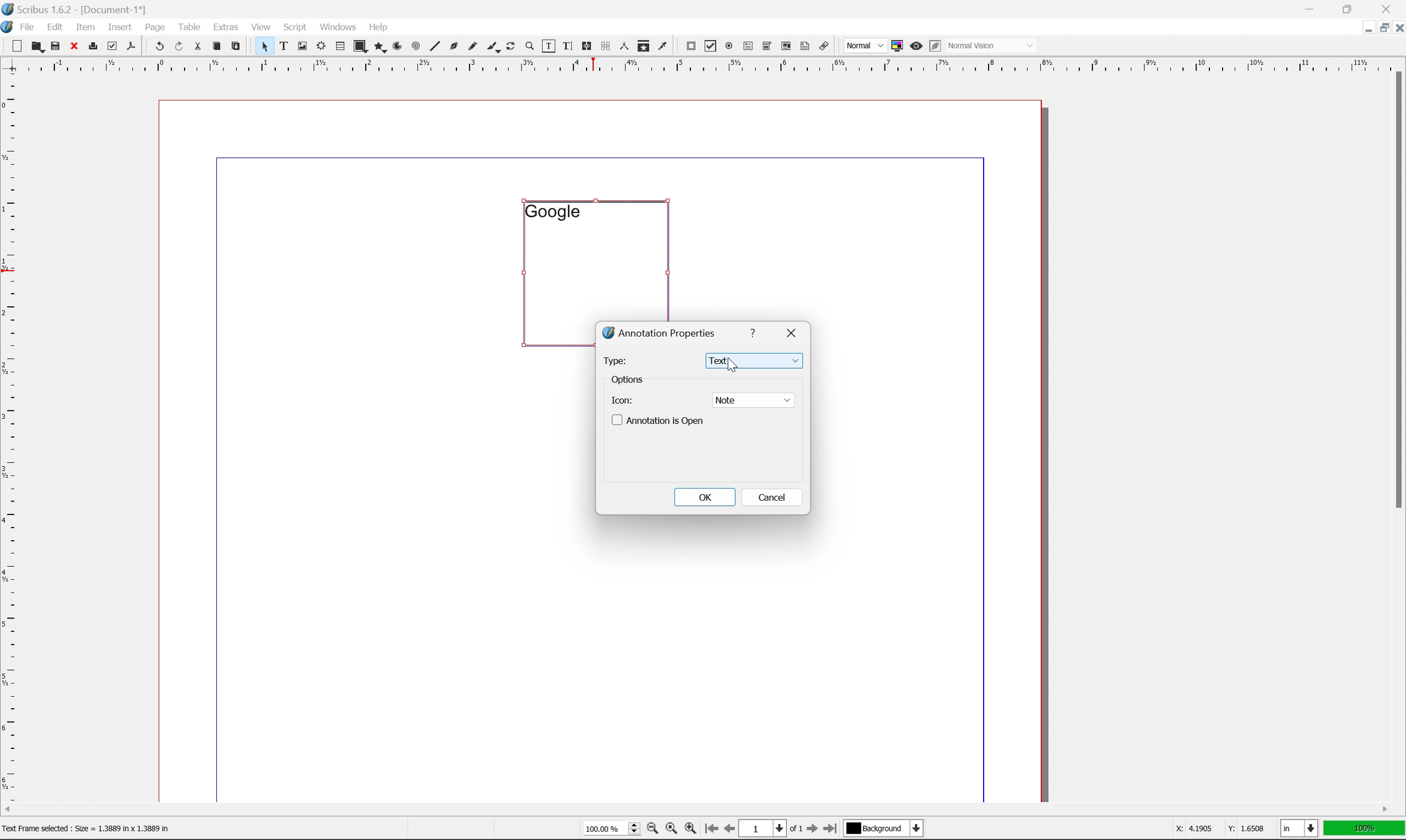 The width and height of the screenshot is (1406, 840). What do you see at coordinates (730, 830) in the screenshot?
I see `go to previous page` at bounding box center [730, 830].